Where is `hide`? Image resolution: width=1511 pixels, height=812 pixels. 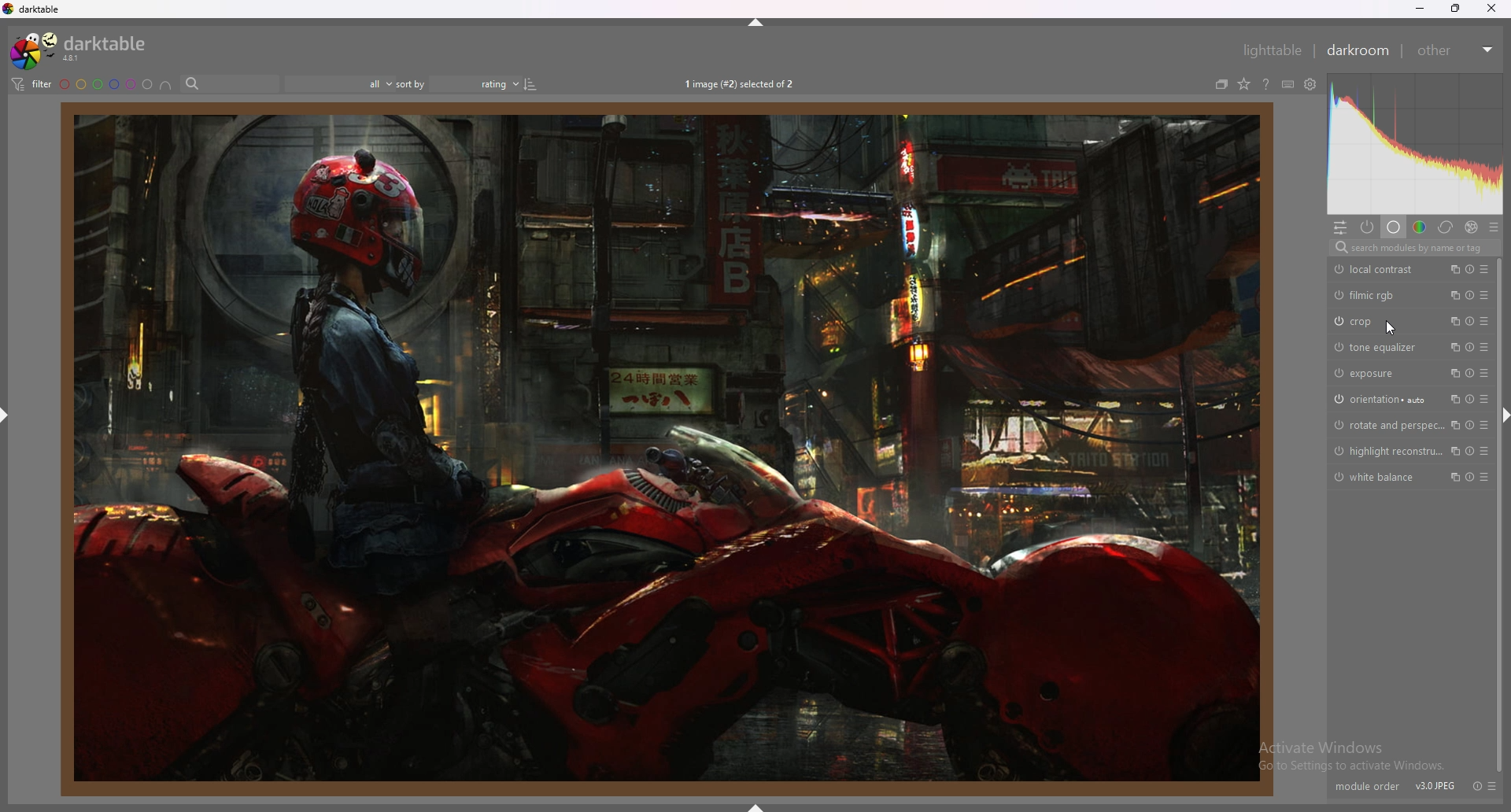
hide is located at coordinates (1505, 419).